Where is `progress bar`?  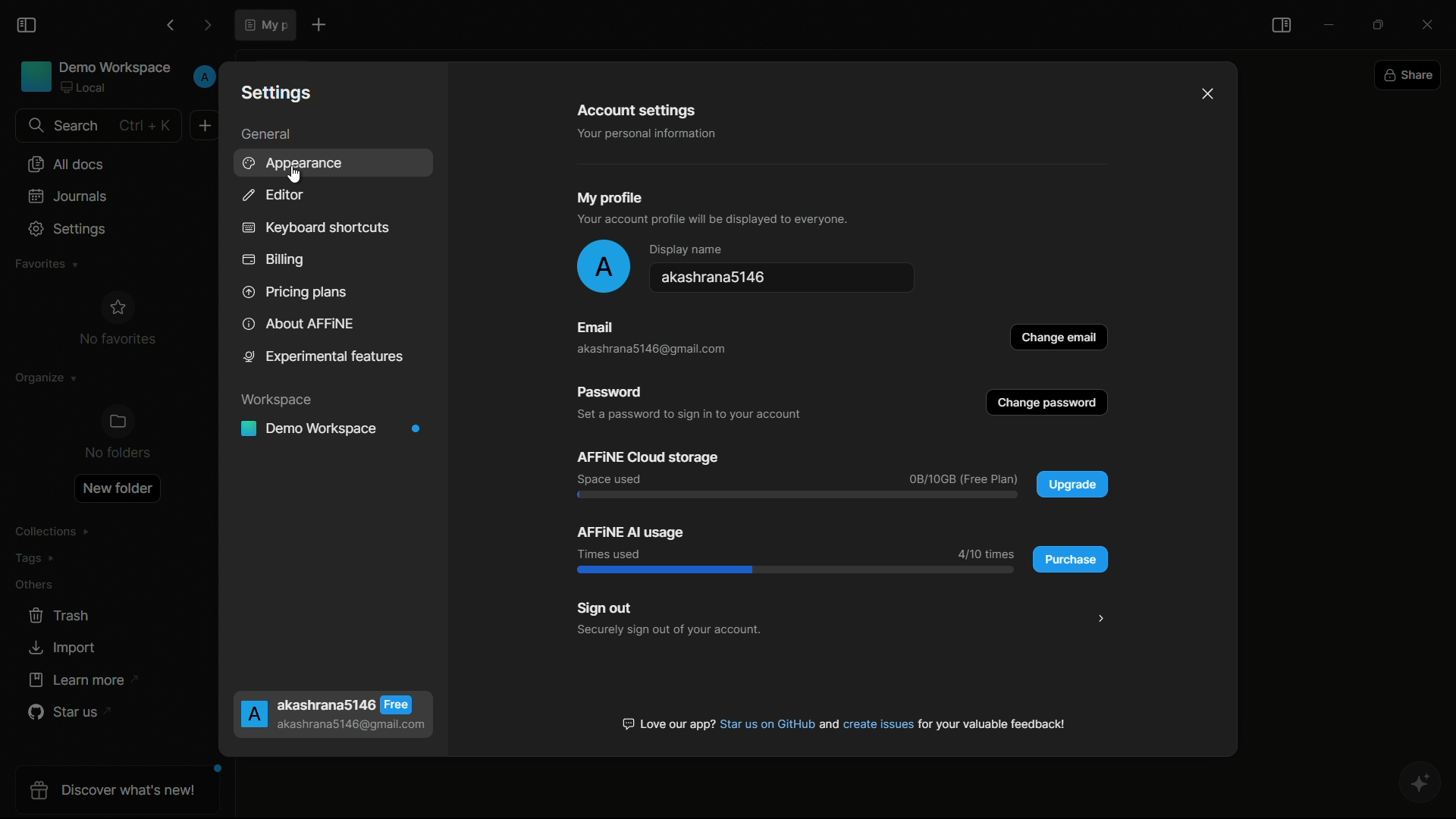
progress bar is located at coordinates (795, 495).